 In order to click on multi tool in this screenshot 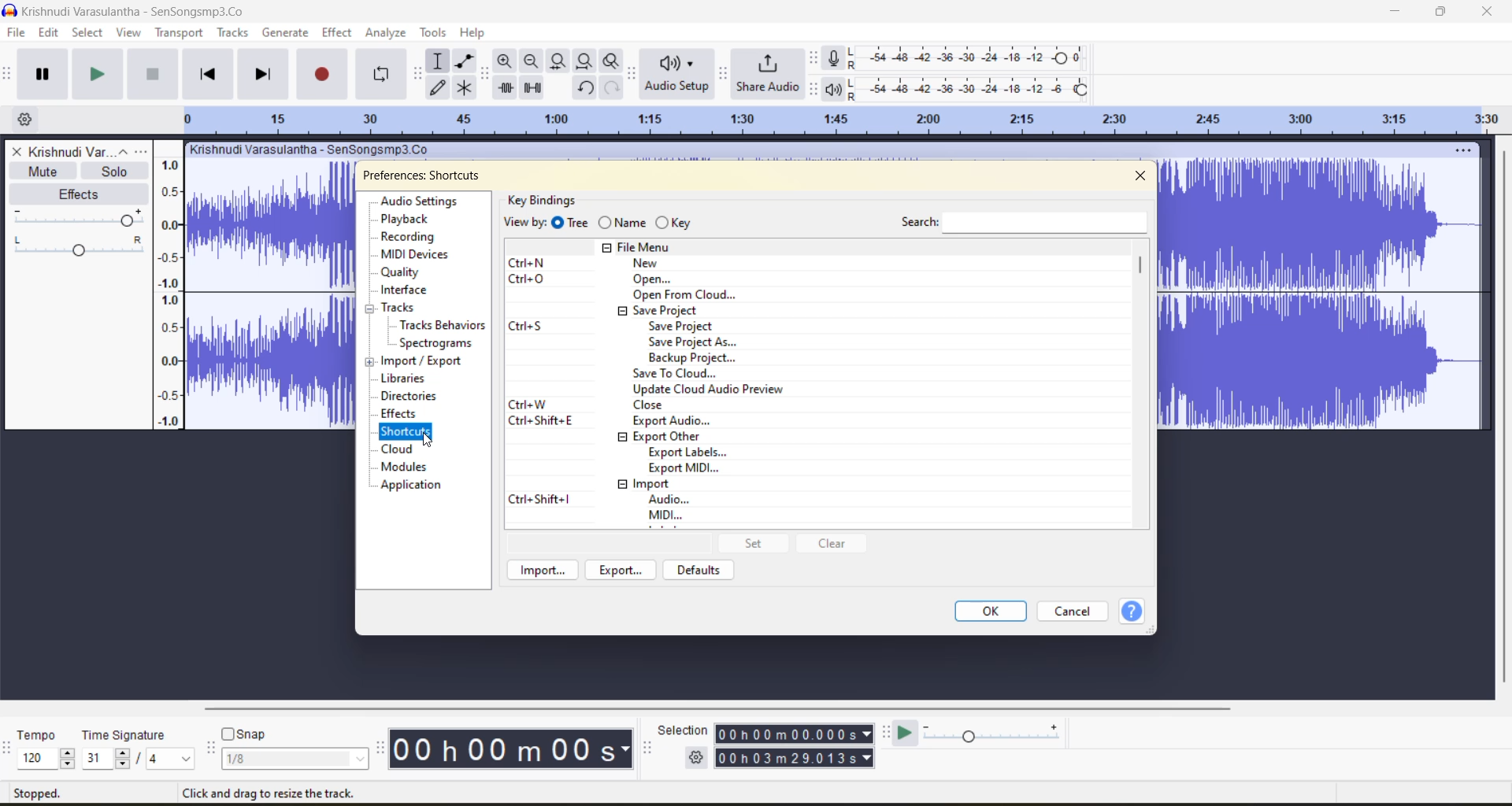, I will do `click(466, 87)`.